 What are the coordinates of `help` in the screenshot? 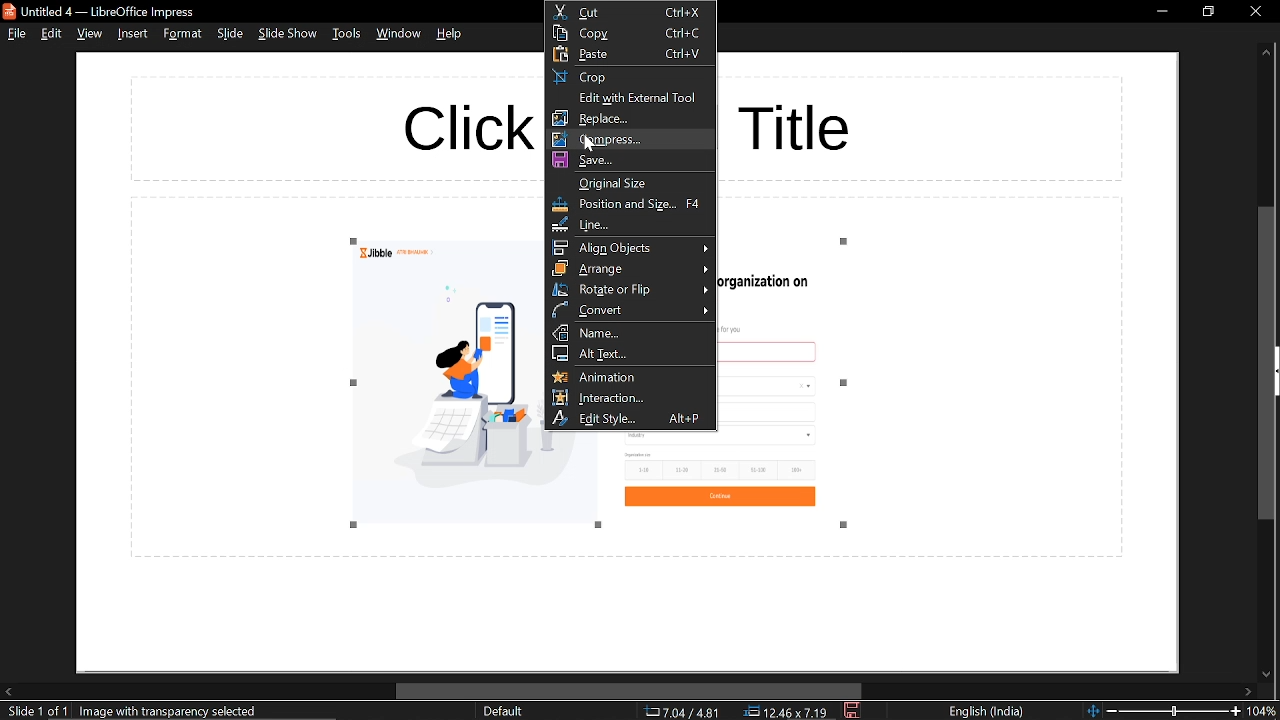 It's located at (450, 38).